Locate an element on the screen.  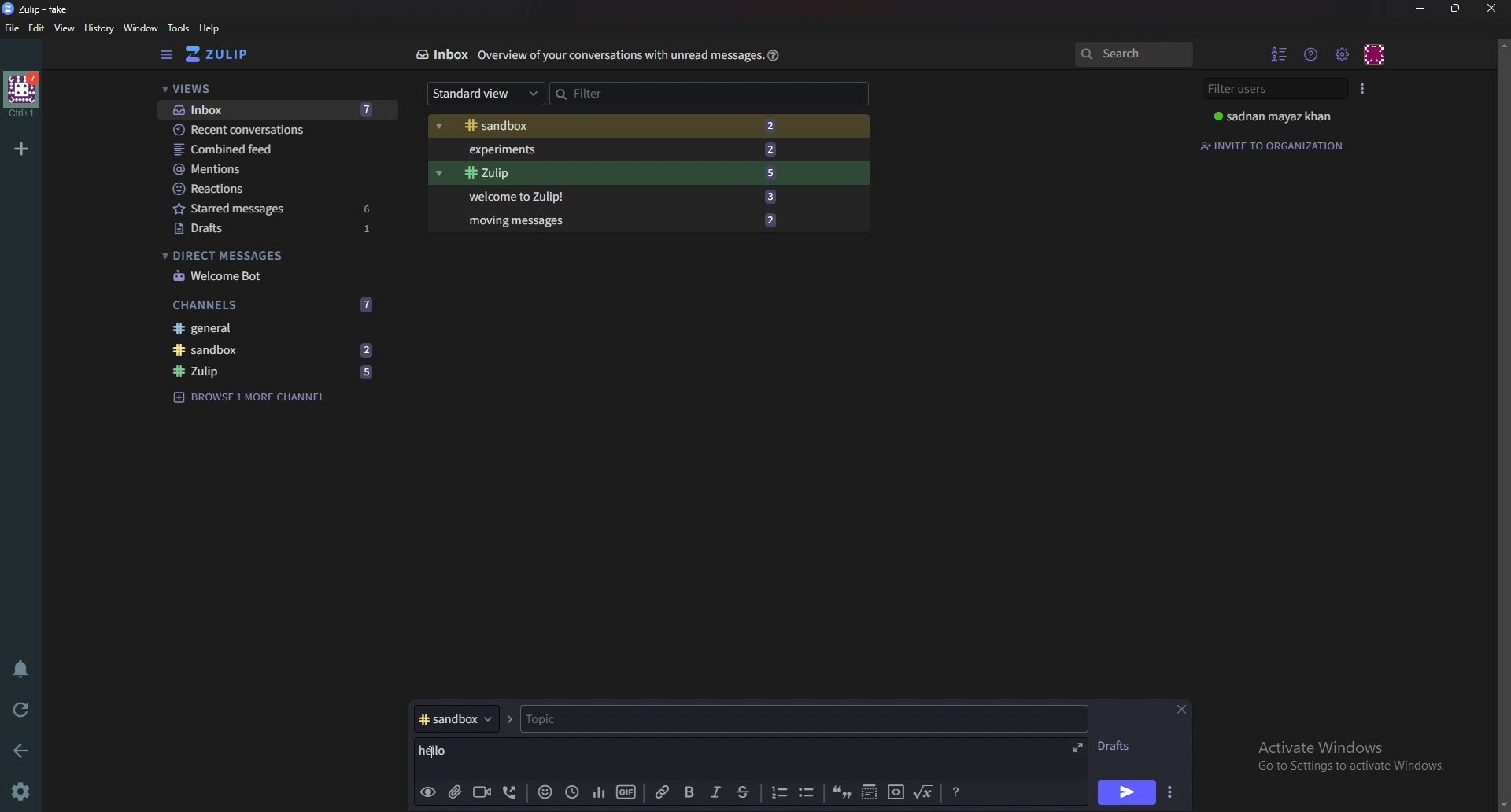
Message formatting is located at coordinates (954, 791).